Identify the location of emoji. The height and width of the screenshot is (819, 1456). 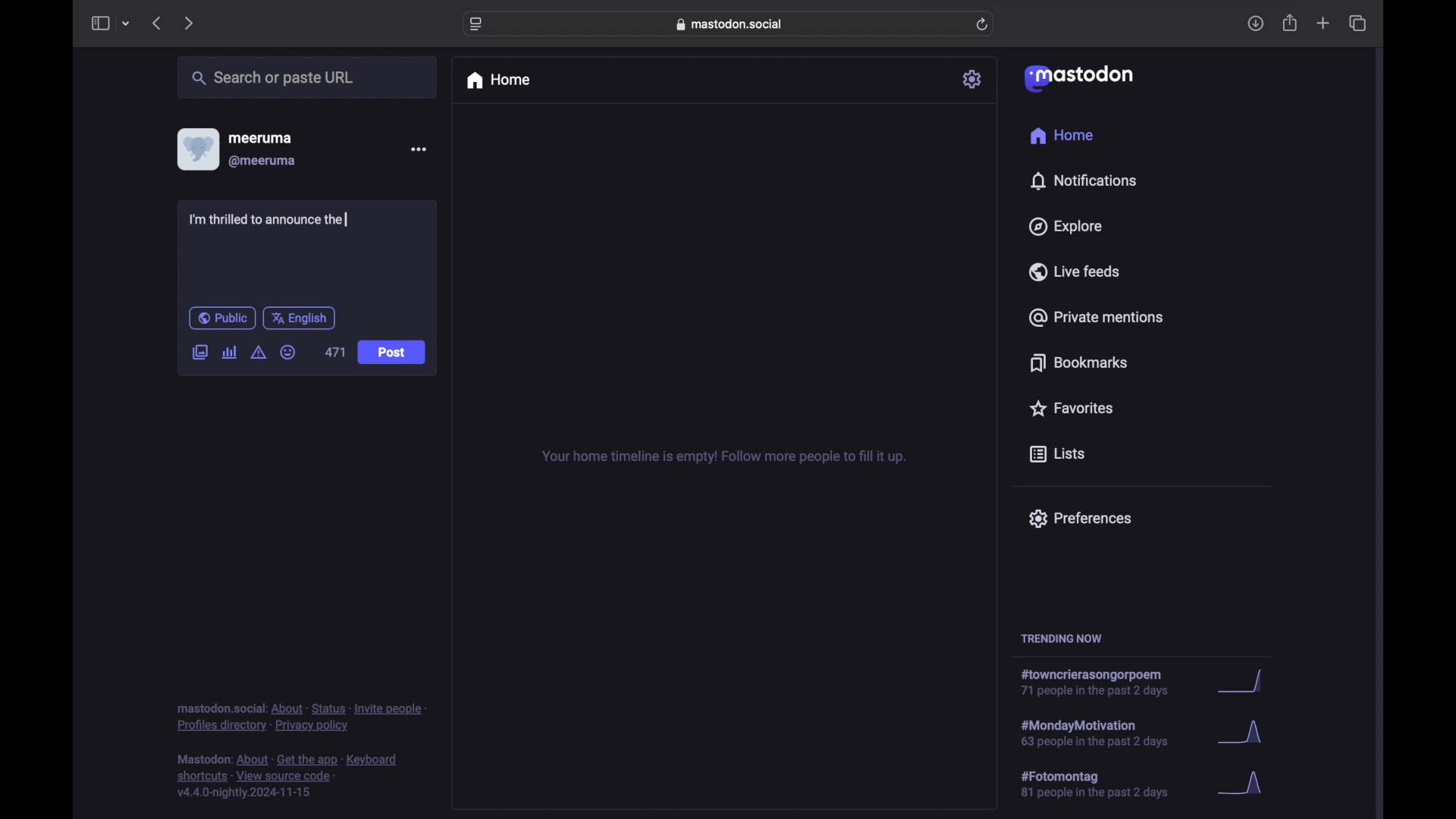
(287, 352).